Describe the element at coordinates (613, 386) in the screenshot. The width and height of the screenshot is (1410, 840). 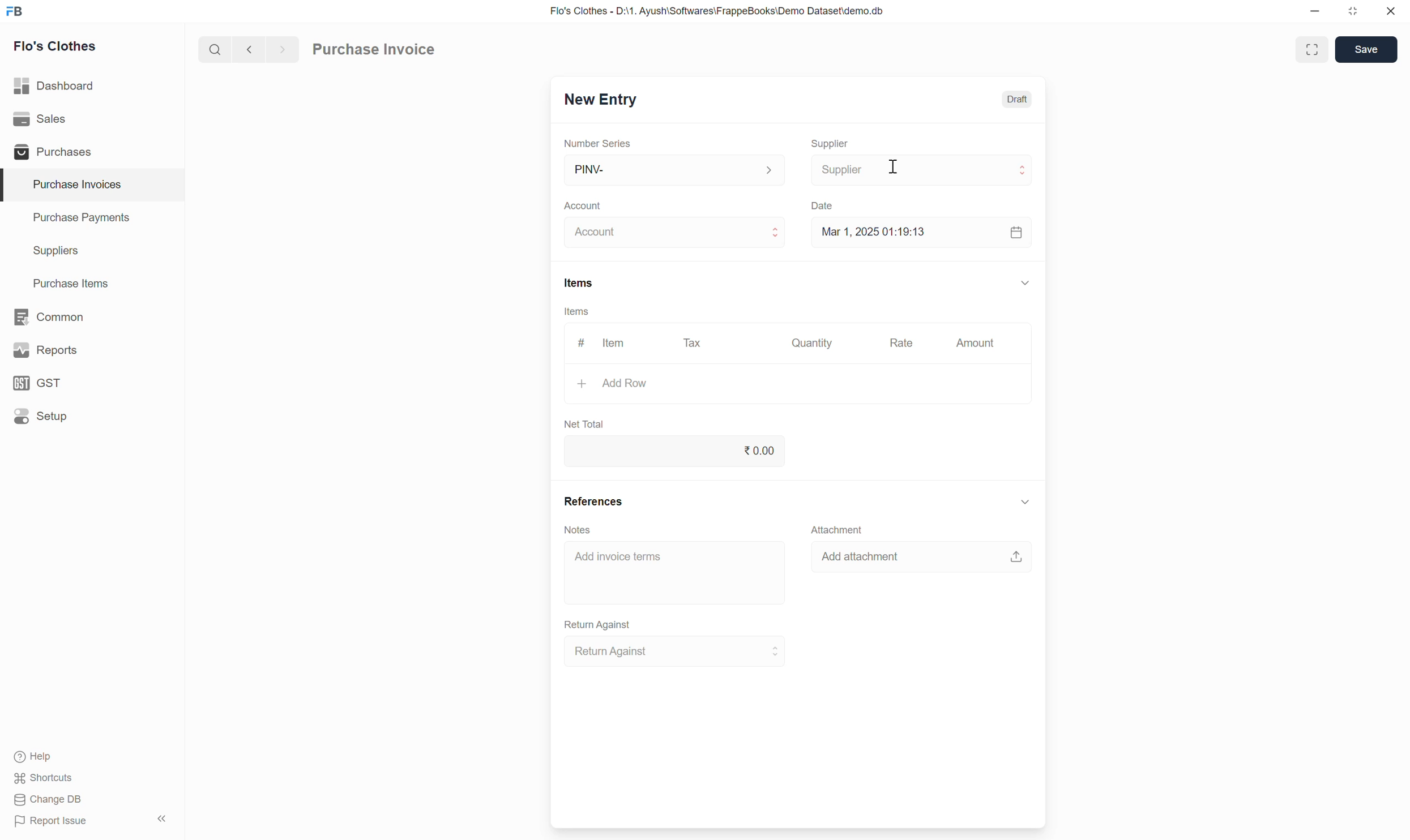
I see `+ Add Row` at that location.